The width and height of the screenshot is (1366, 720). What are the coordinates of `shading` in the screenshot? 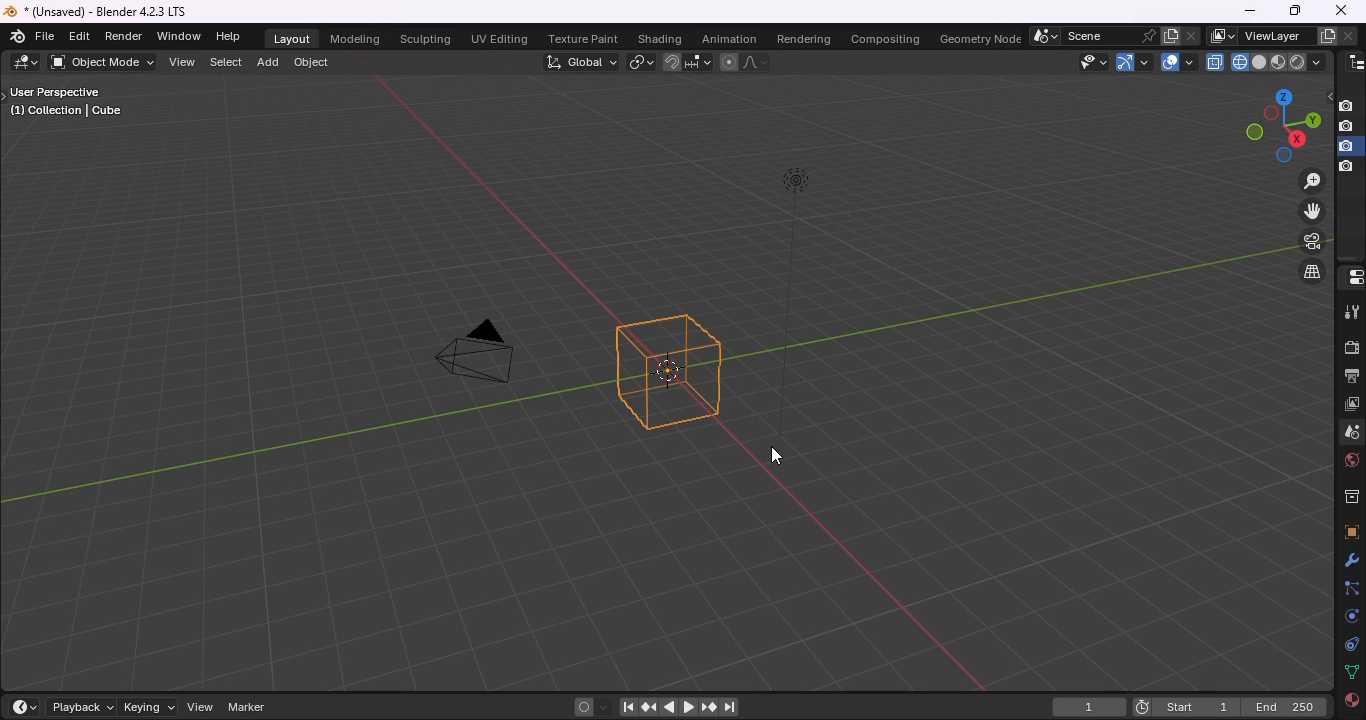 It's located at (661, 40).